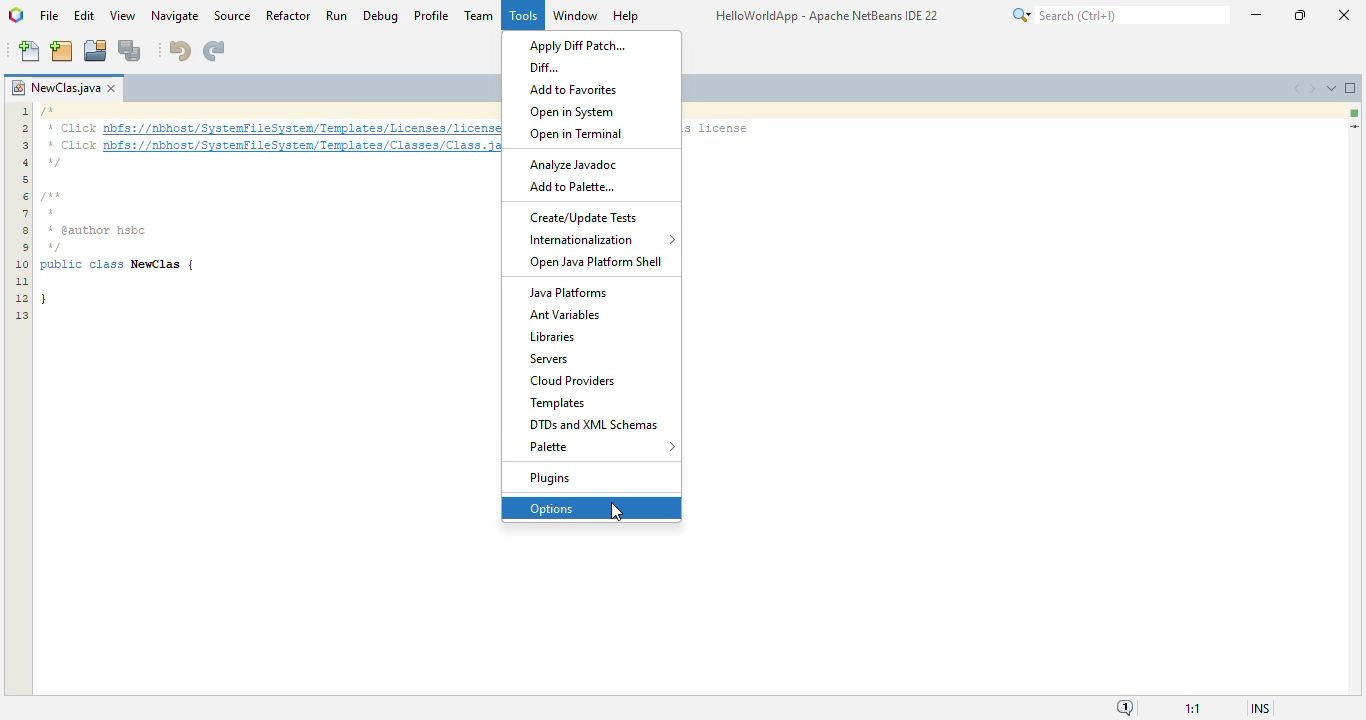  I want to click on logo, so click(16, 15).